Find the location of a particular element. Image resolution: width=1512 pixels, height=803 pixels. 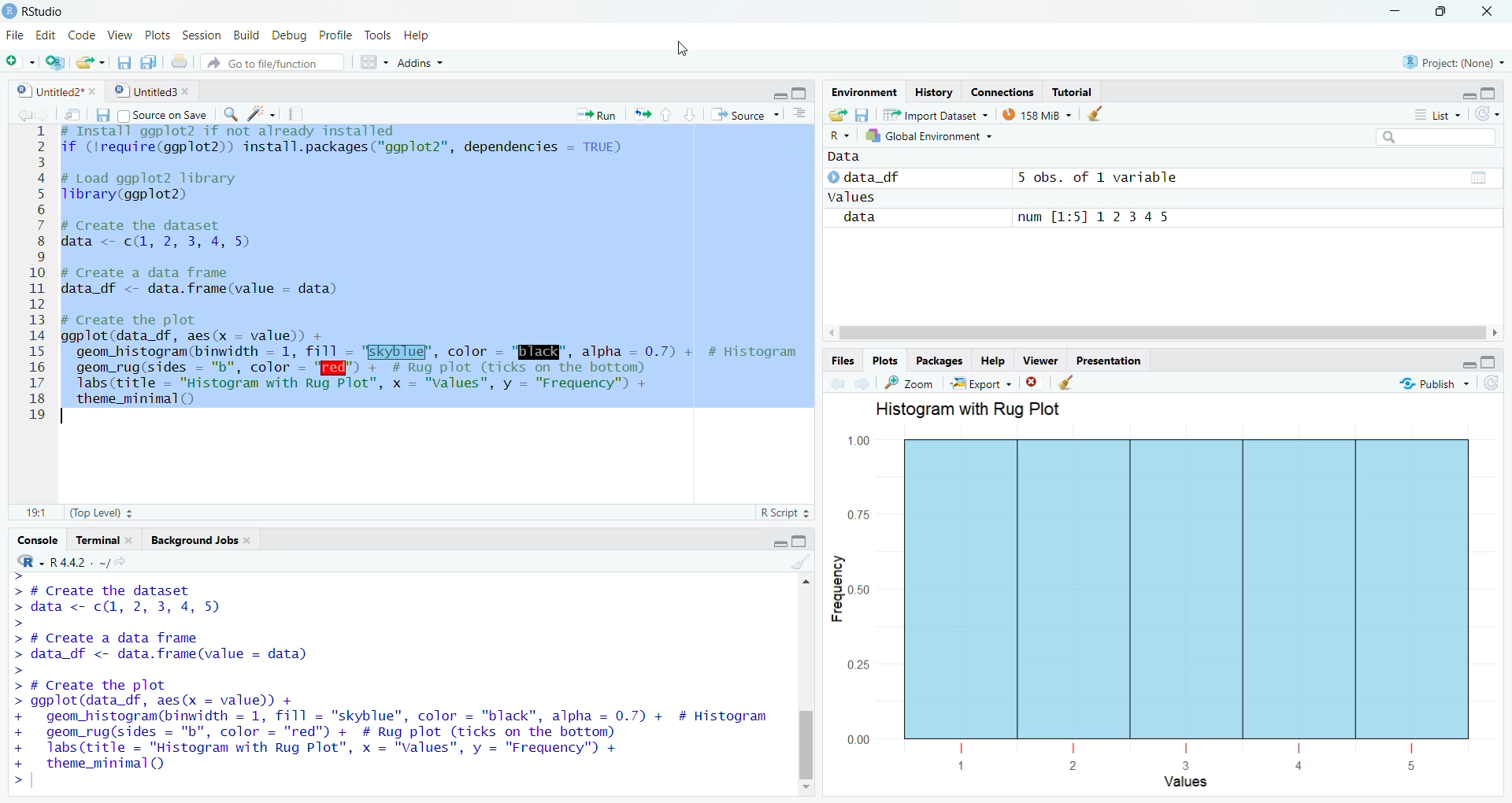

New File is located at coordinates (18, 62).